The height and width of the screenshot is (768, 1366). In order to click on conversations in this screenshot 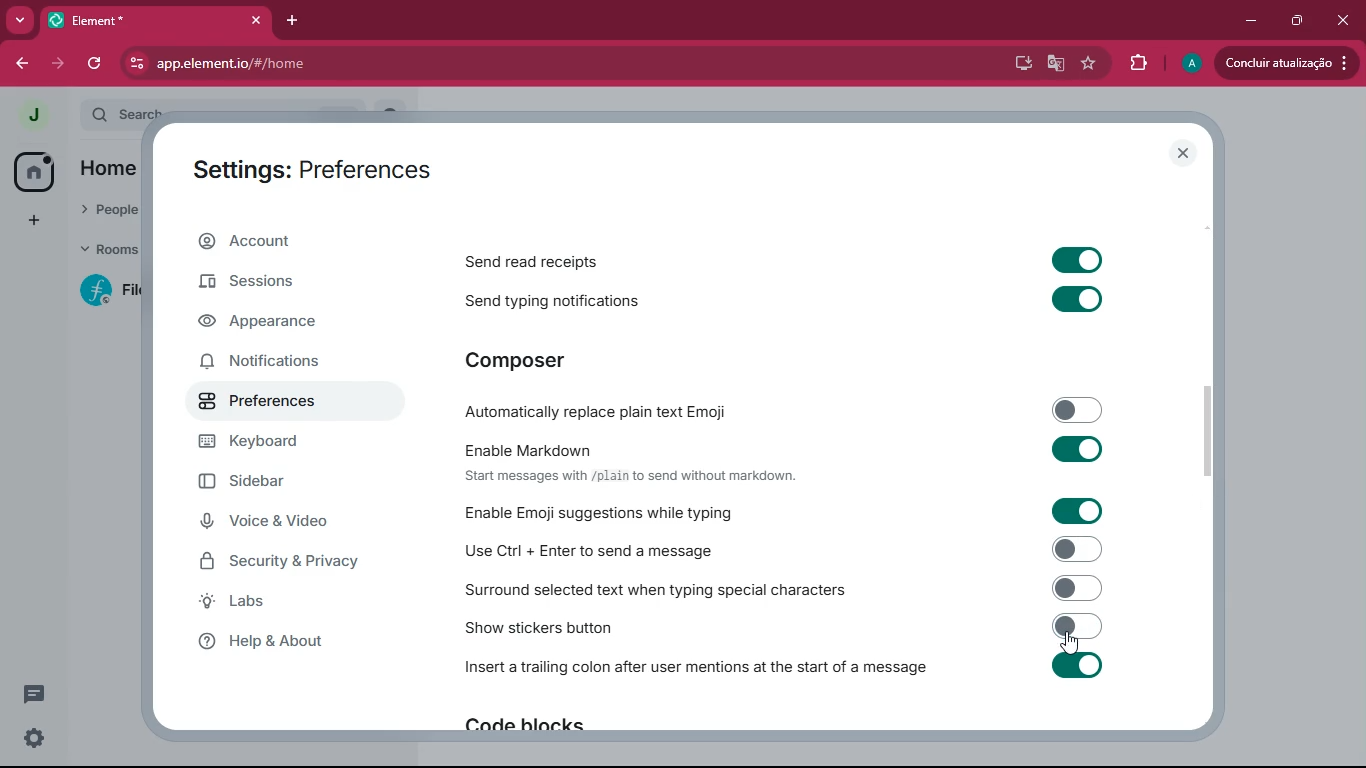, I will do `click(31, 694)`.